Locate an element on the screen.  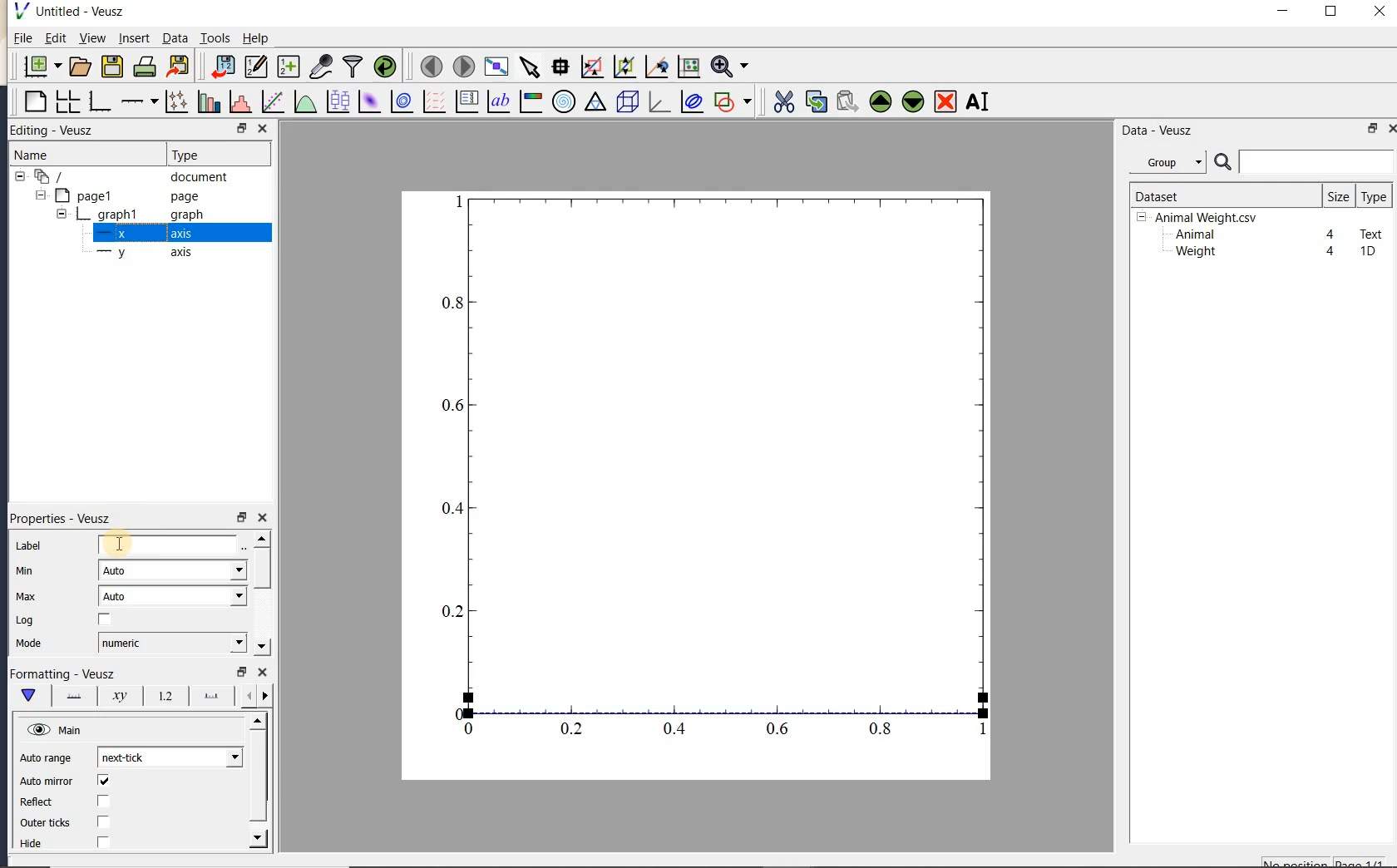
graph is located at coordinates (717, 469).